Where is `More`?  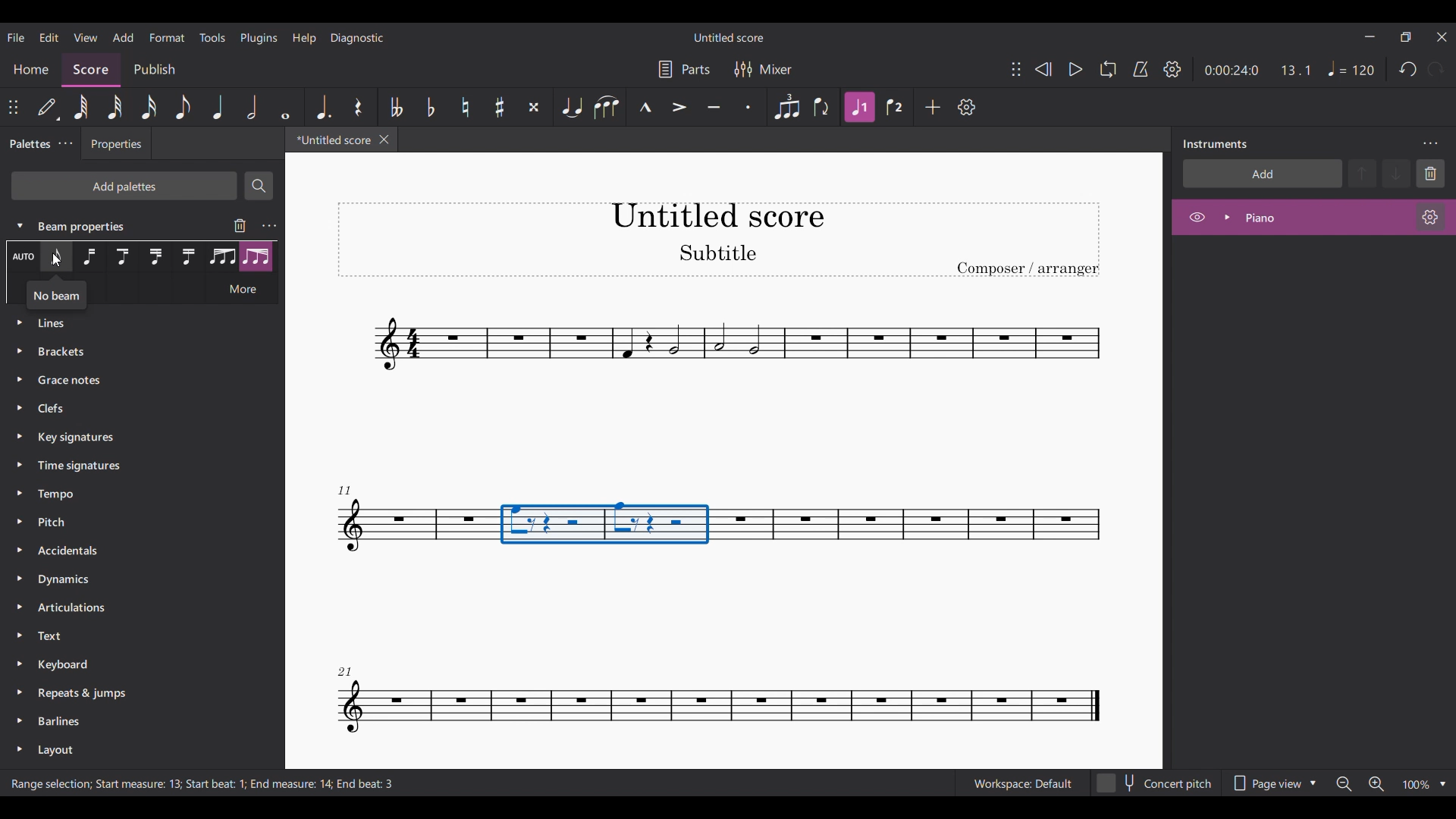
More is located at coordinates (243, 290).